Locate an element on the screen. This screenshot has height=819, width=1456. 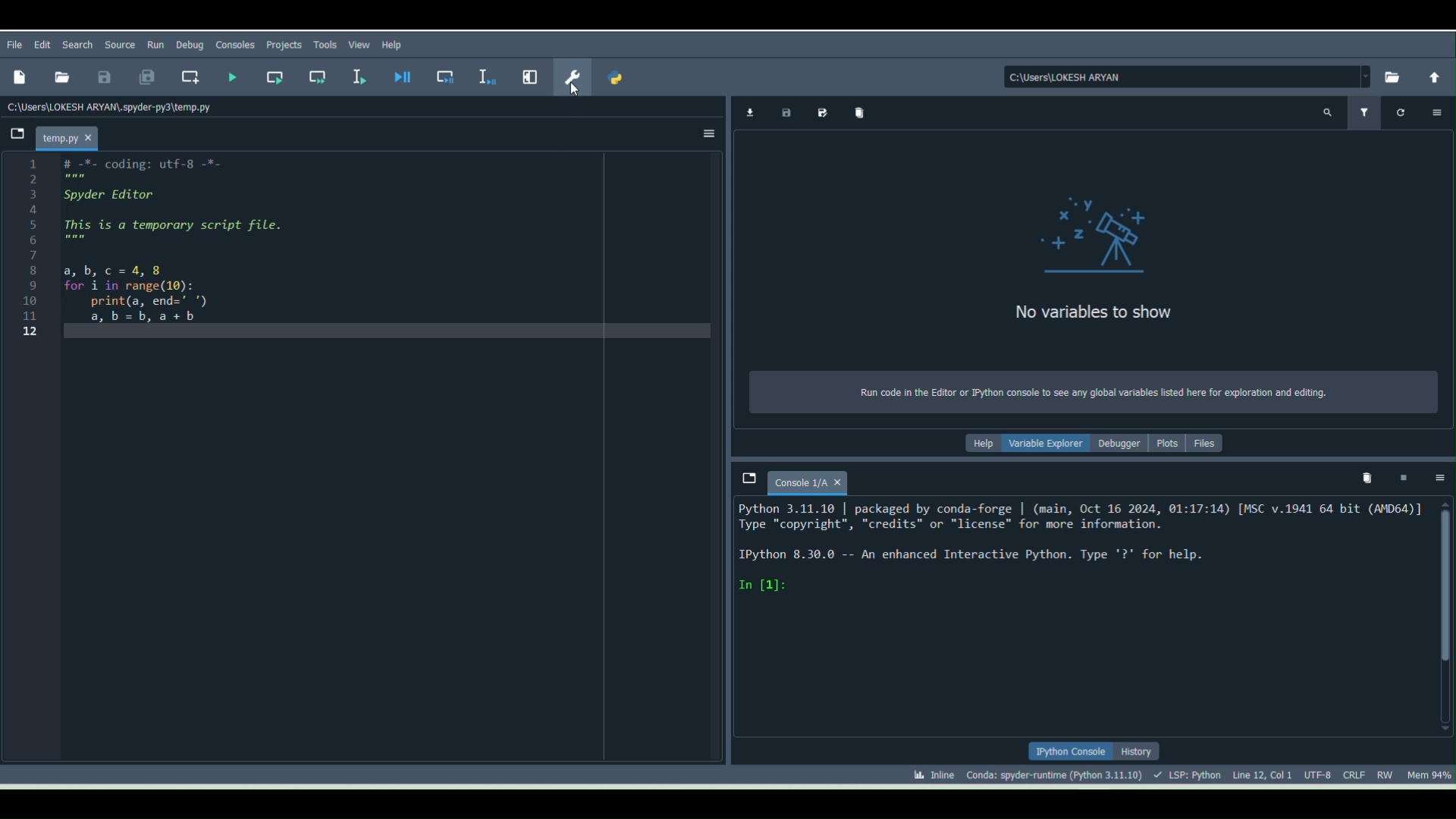
Run is located at coordinates (156, 42).